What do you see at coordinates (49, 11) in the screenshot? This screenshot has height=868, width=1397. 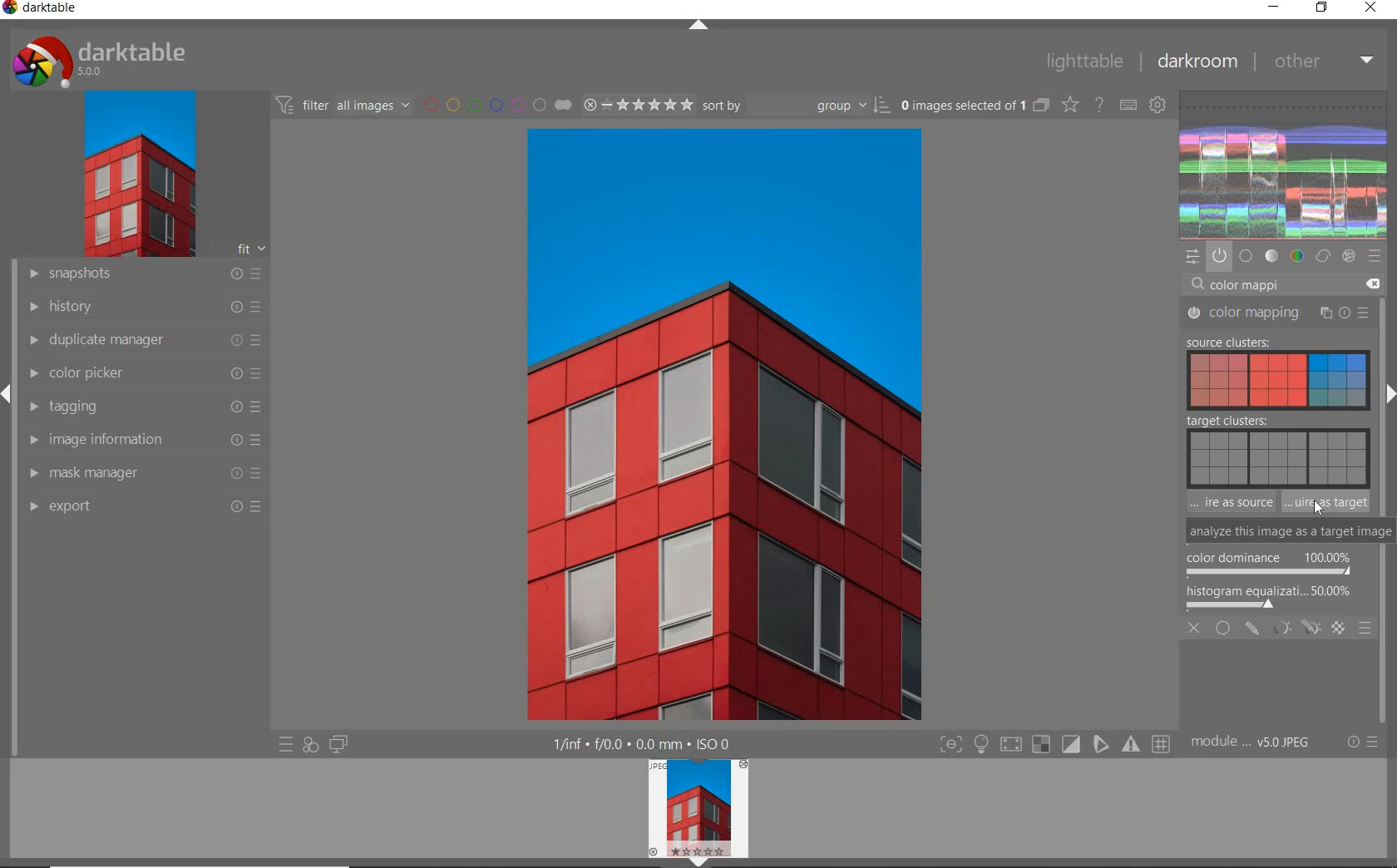 I see `darktable` at bounding box center [49, 11].